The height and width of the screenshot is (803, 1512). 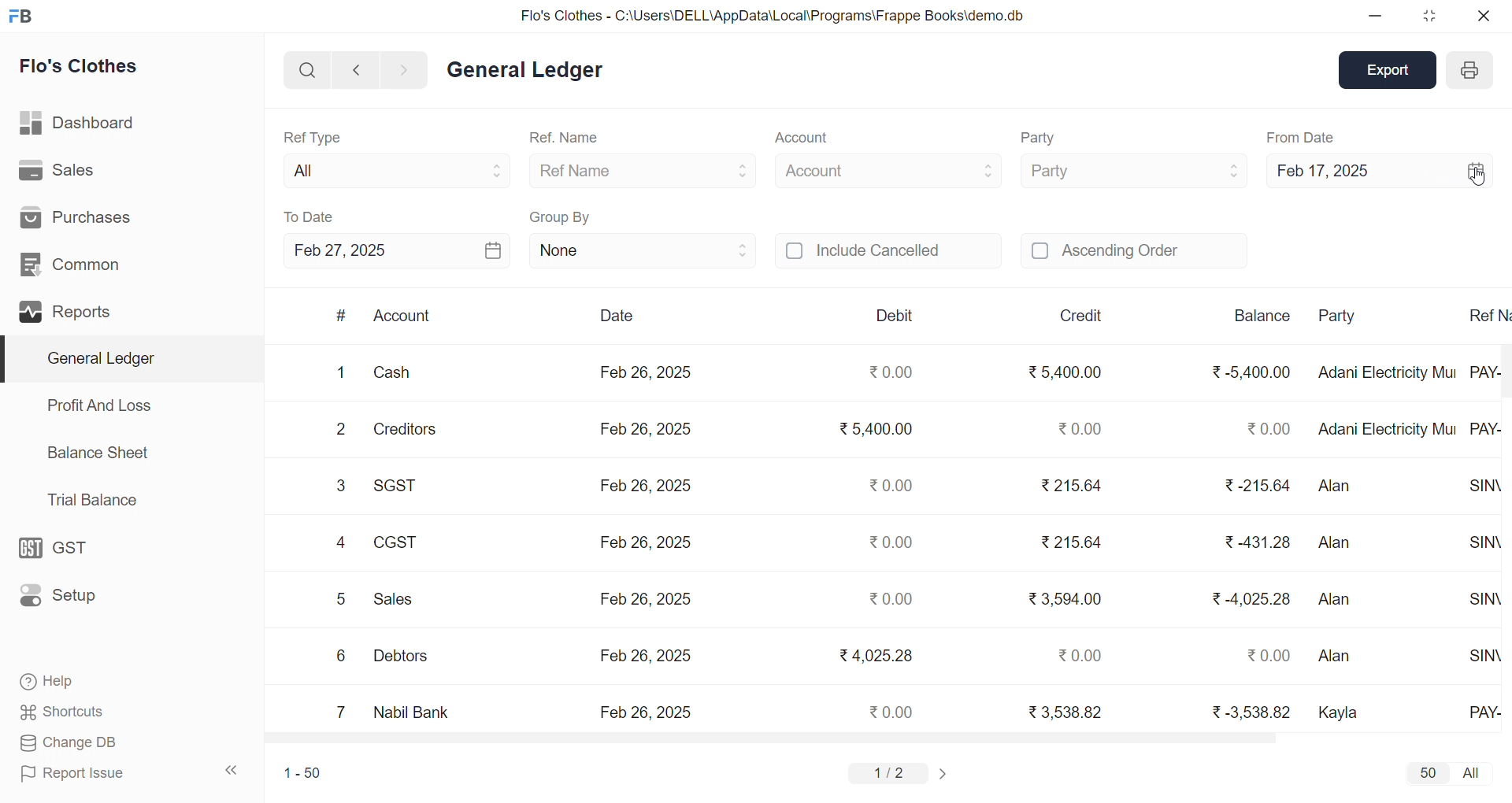 What do you see at coordinates (1263, 426) in the screenshot?
I see `₹ 0.00` at bounding box center [1263, 426].